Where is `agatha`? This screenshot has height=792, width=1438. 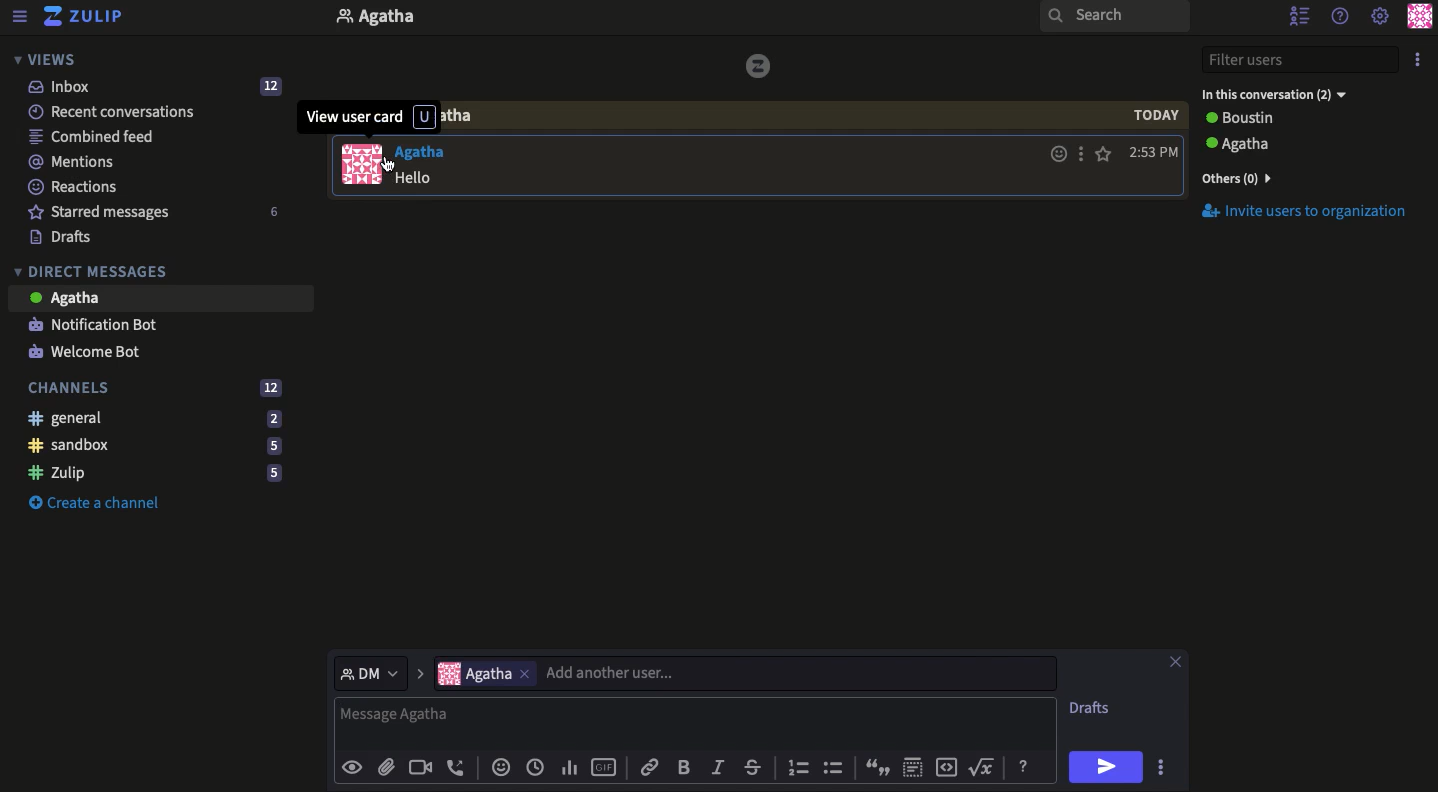
agatha is located at coordinates (1294, 144).